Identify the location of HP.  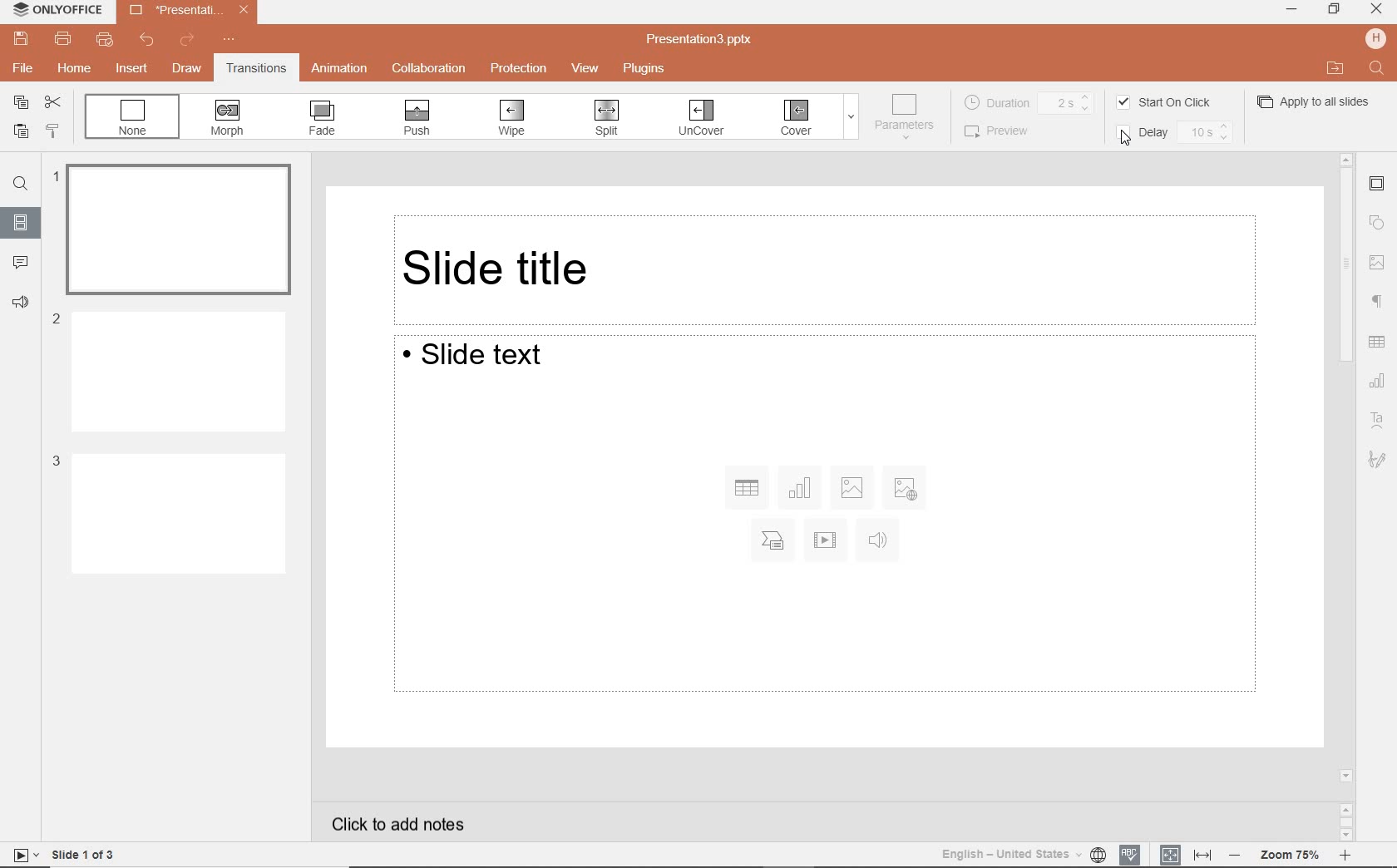
(1374, 39).